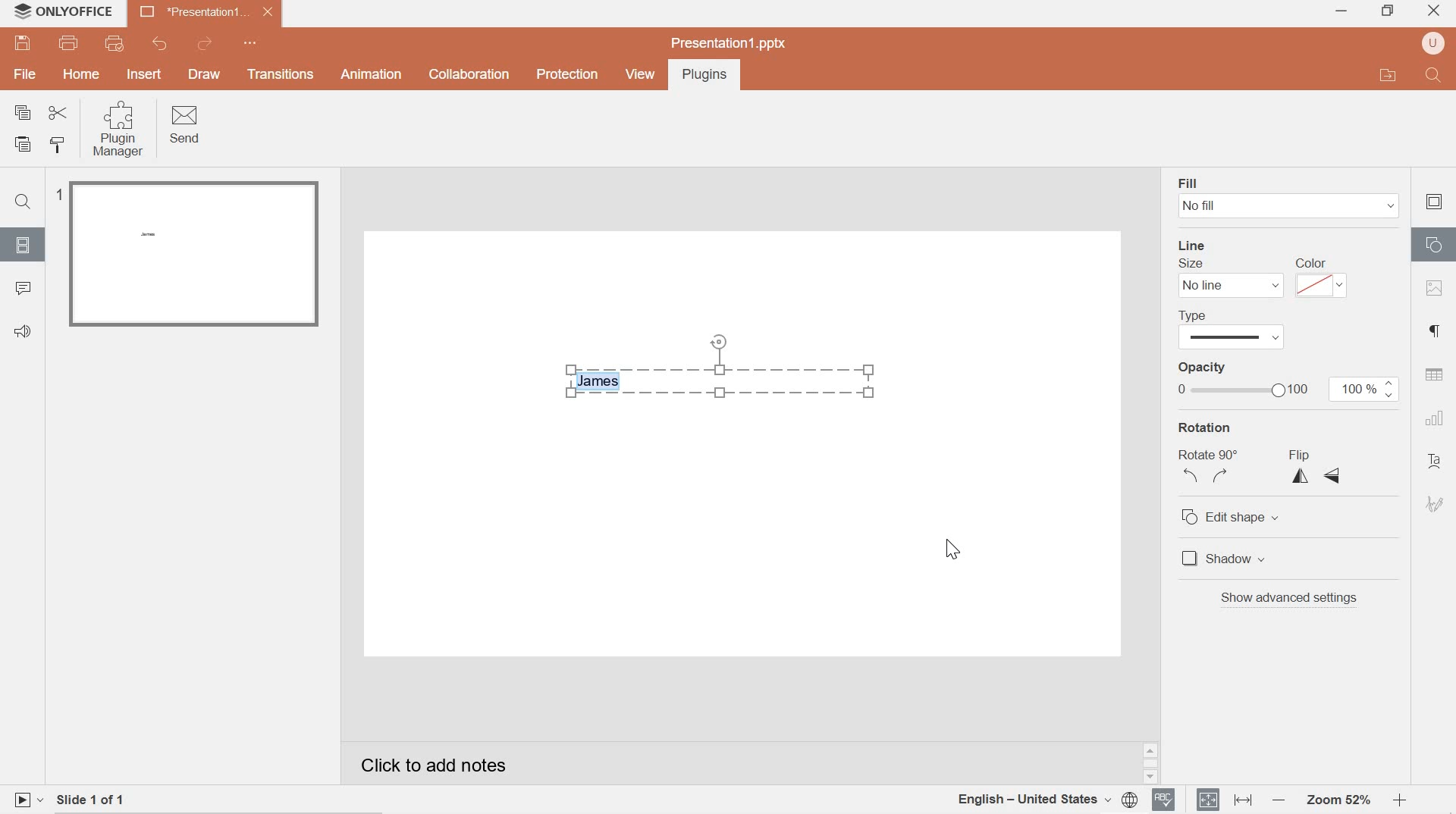  Describe the element at coordinates (719, 366) in the screenshot. I see `shadow added to text` at that location.